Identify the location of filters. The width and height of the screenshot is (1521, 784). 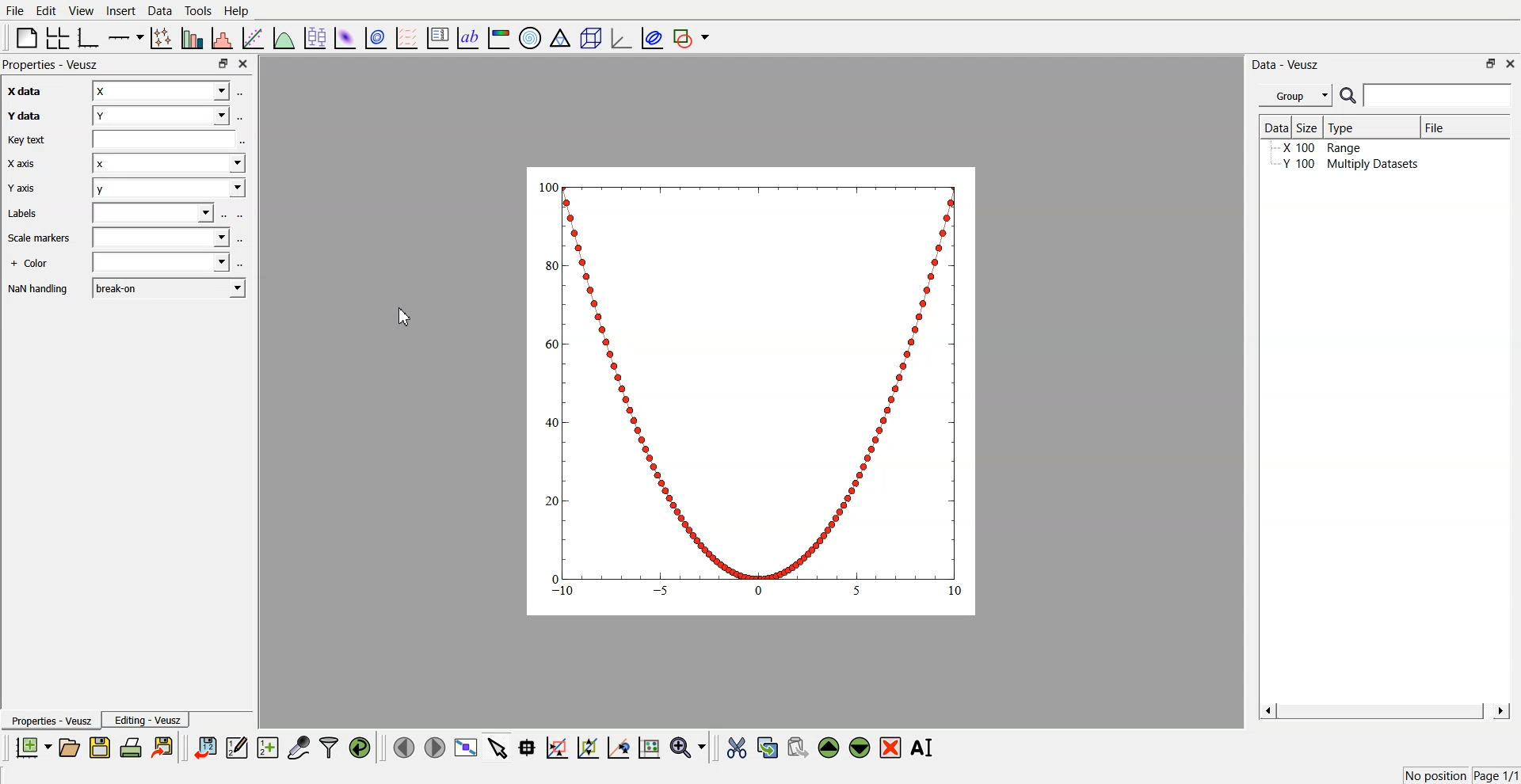
(327, 748).